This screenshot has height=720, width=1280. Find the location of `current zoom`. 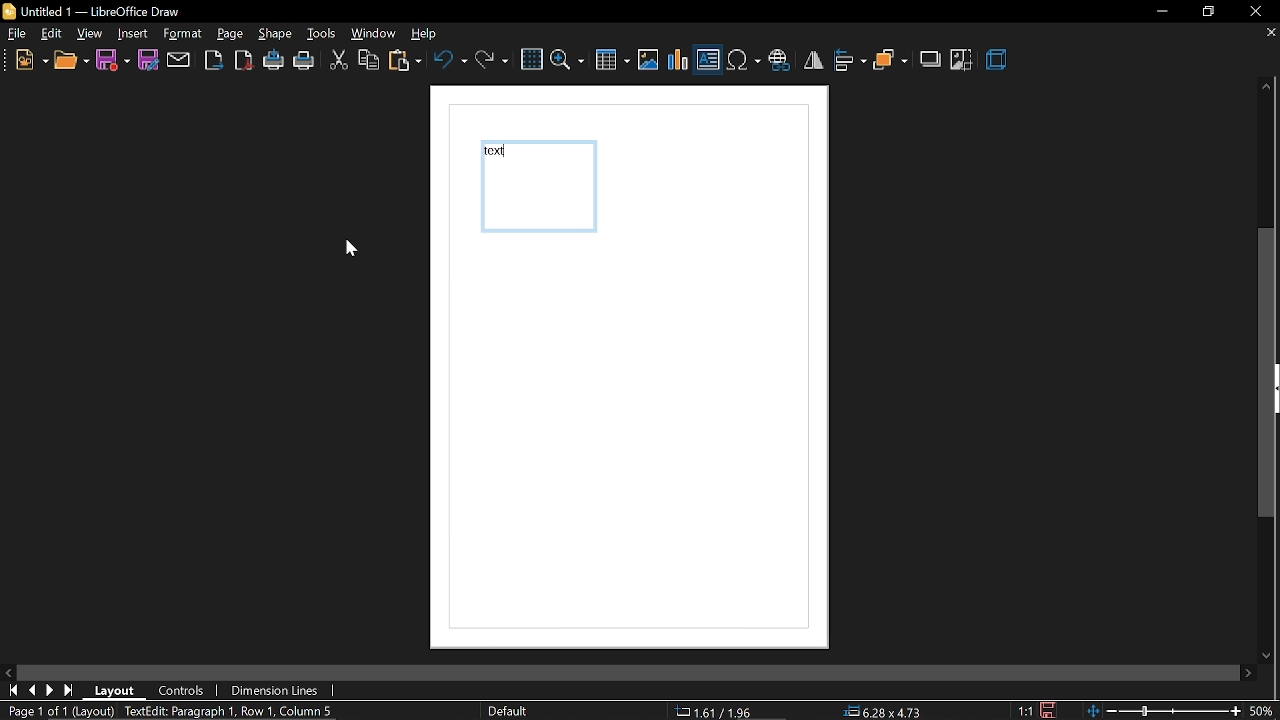

current zoom is located at coordinates (1266, 711).